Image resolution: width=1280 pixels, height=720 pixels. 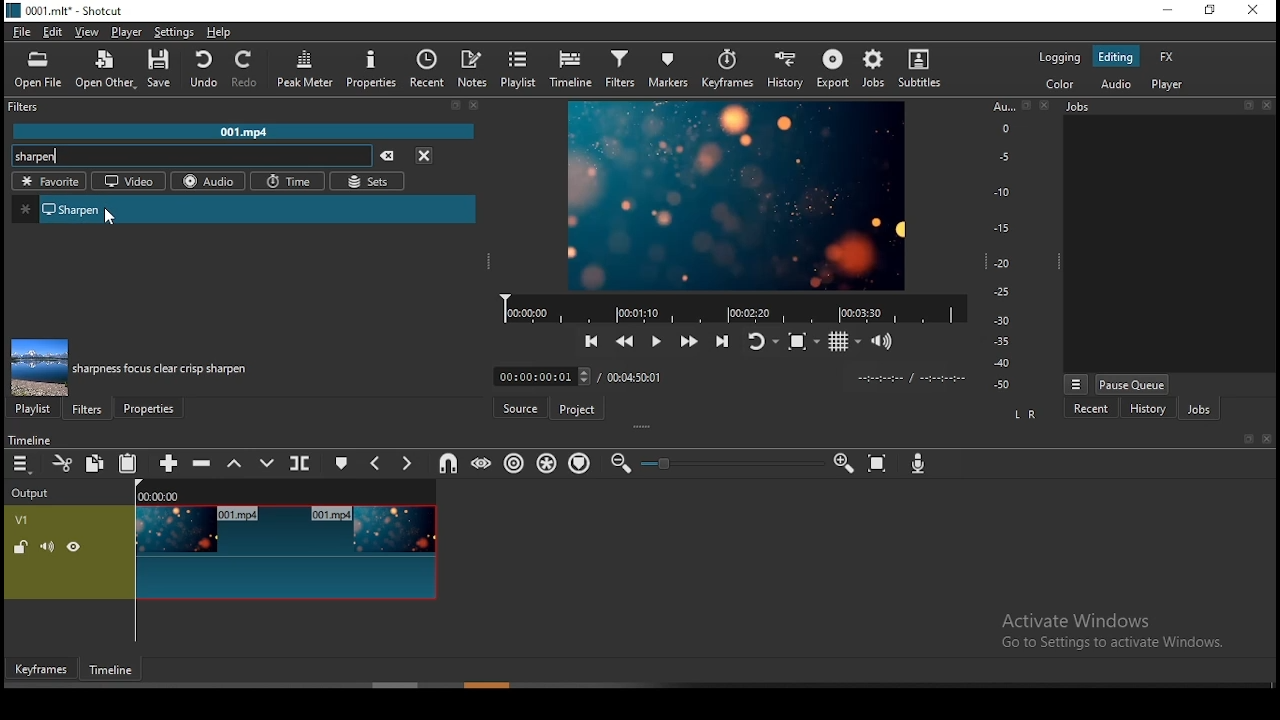 What do you see at coordinates (1076, 383) in the screenshot?
I see `view menu` at bounding box center [1076, 383].